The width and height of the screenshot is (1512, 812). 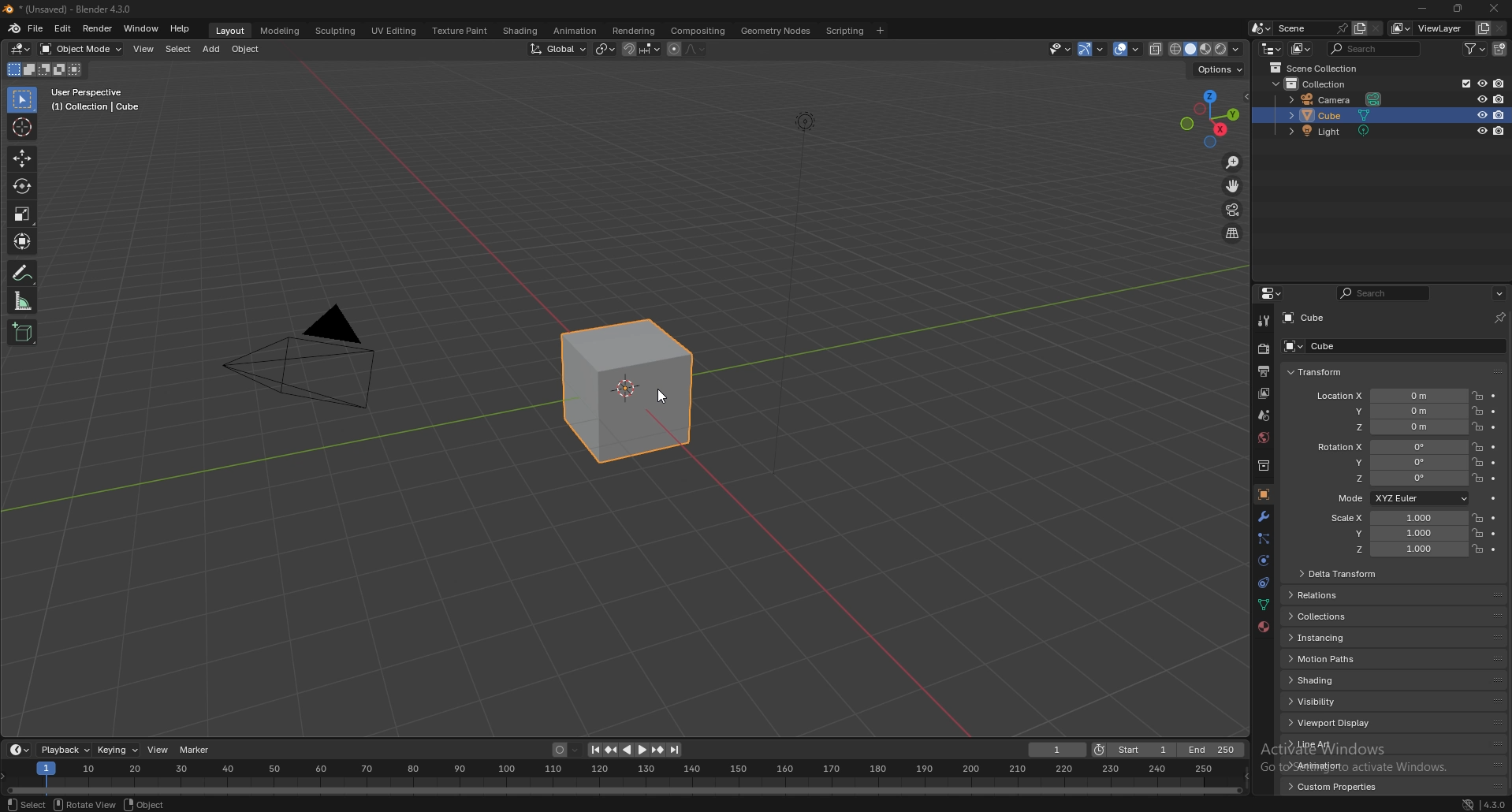 I want to click on version, so click(x=1495, y=804).